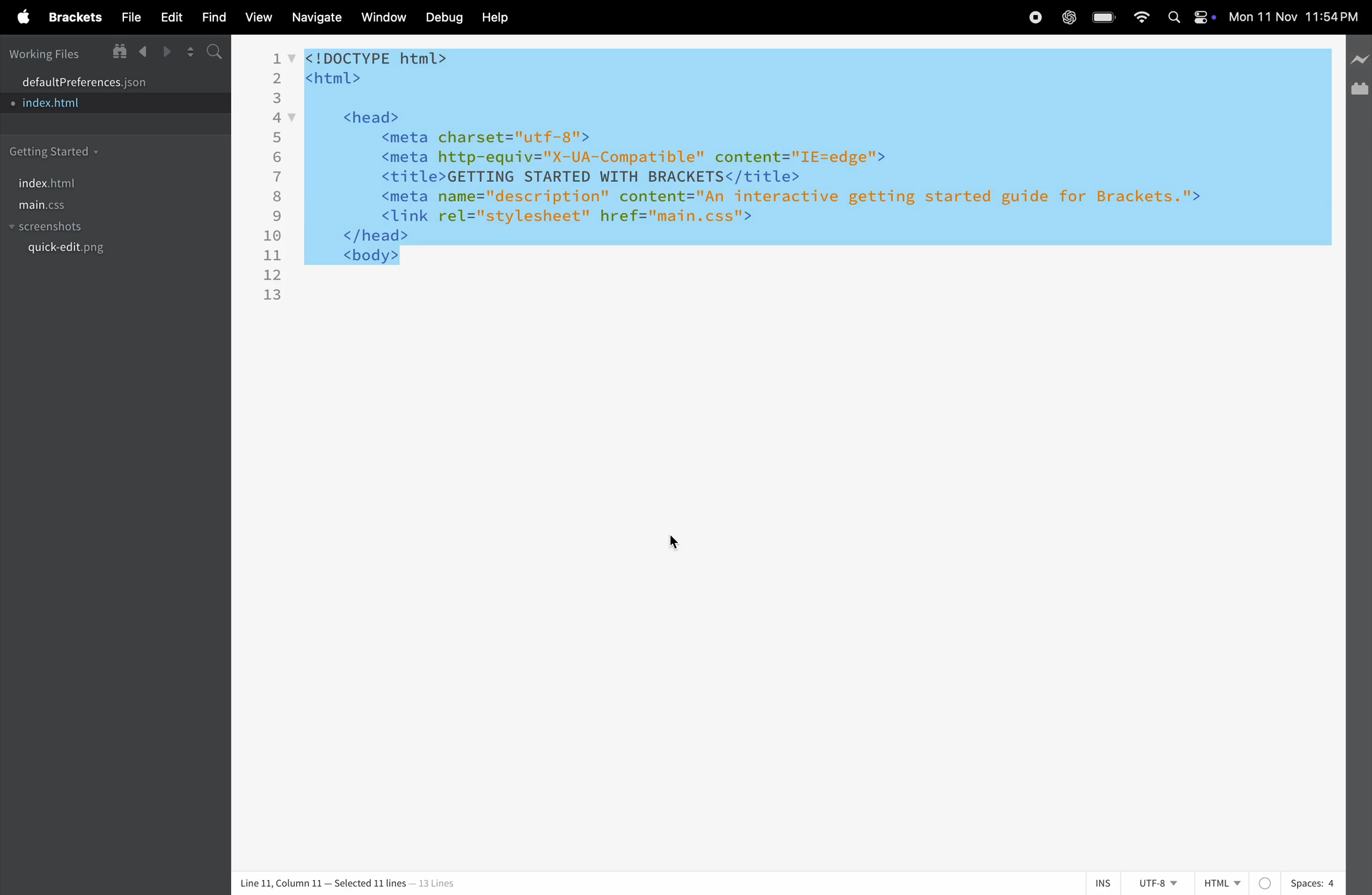 The width and height of the screenshot is (1372, 895). What do you see at coordinates (276, 58) in the screenshot?
I see `1` at bounding box center [276, 58].